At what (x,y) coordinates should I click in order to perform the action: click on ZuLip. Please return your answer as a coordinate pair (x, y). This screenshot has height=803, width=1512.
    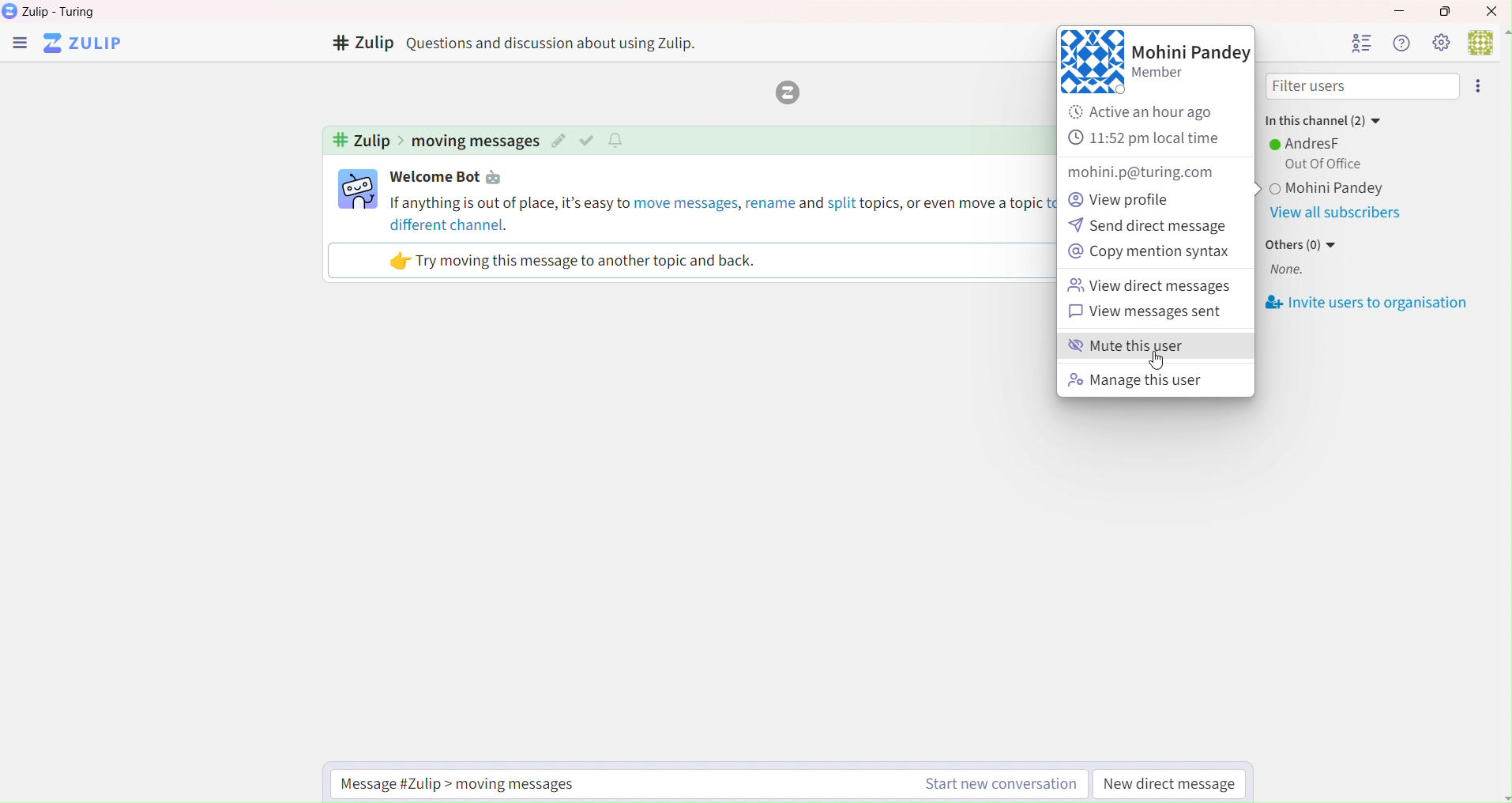
    Looking at the image, I should click on (88, 44).